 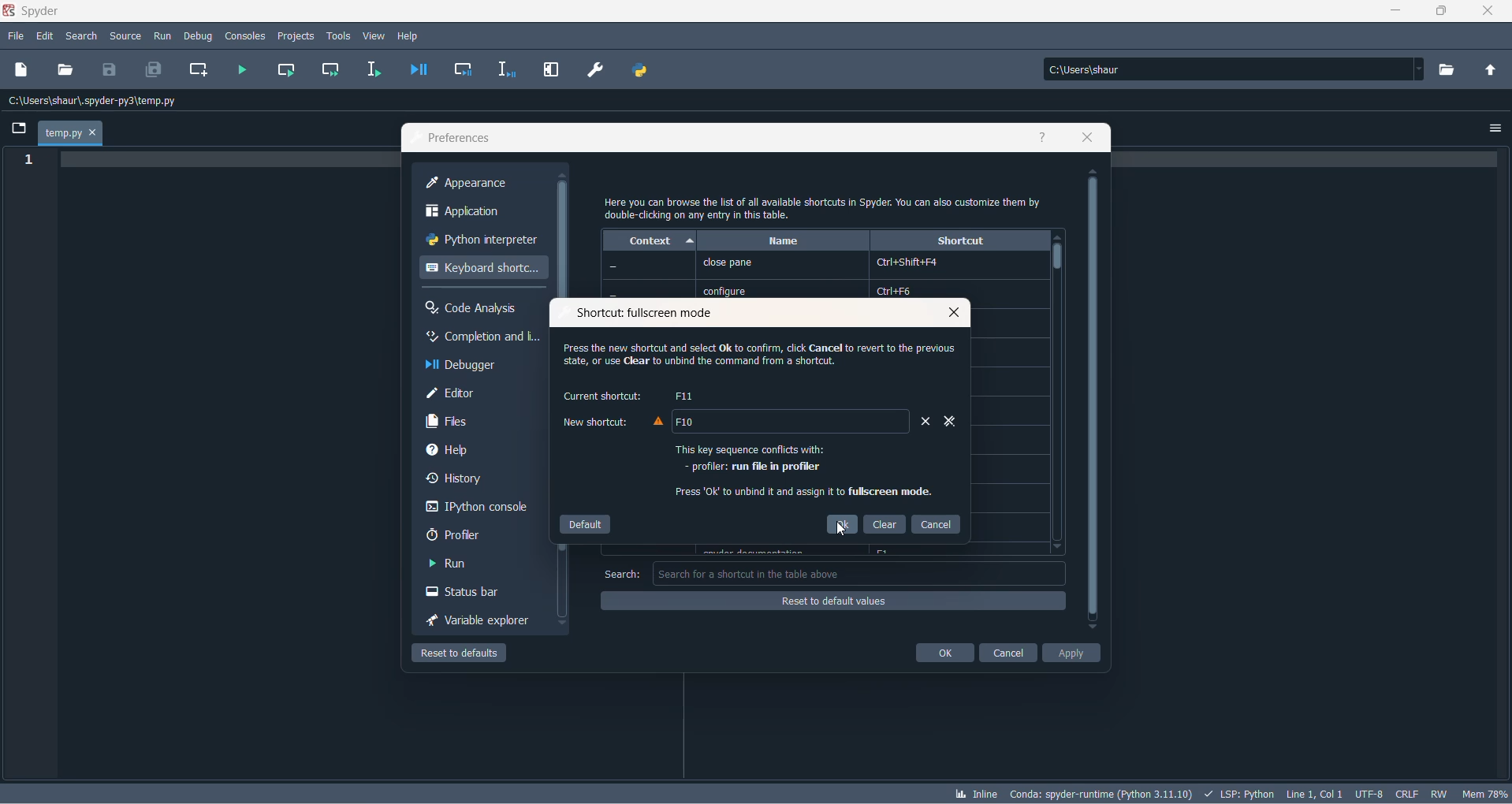 What do you see at coordinates (549, 71) in the screenshot?
I see `MAXIMIZE CURRENT PANE` at bounding box center [549, 71].